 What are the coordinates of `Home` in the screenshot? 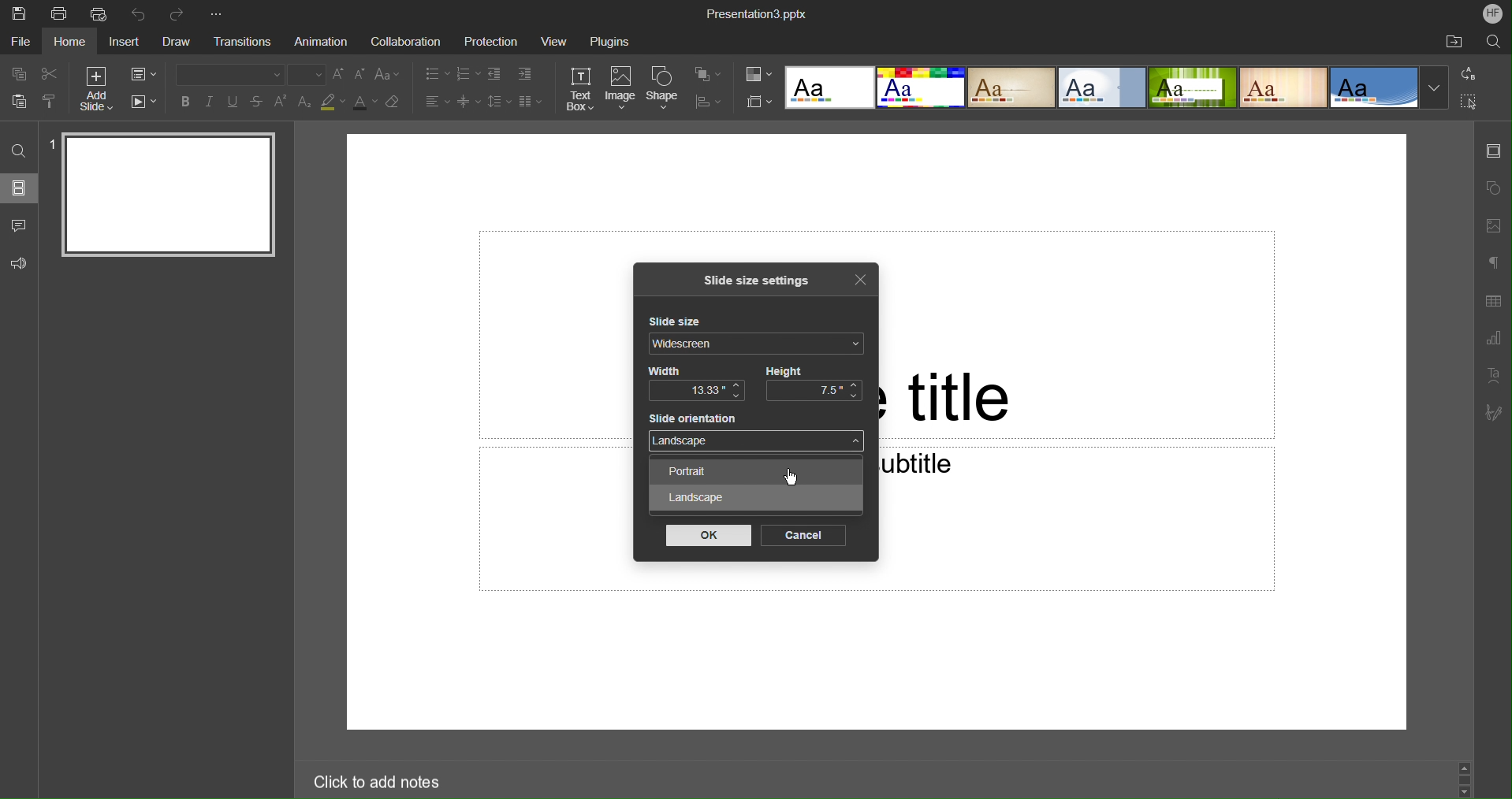 It's located at (71, 43).